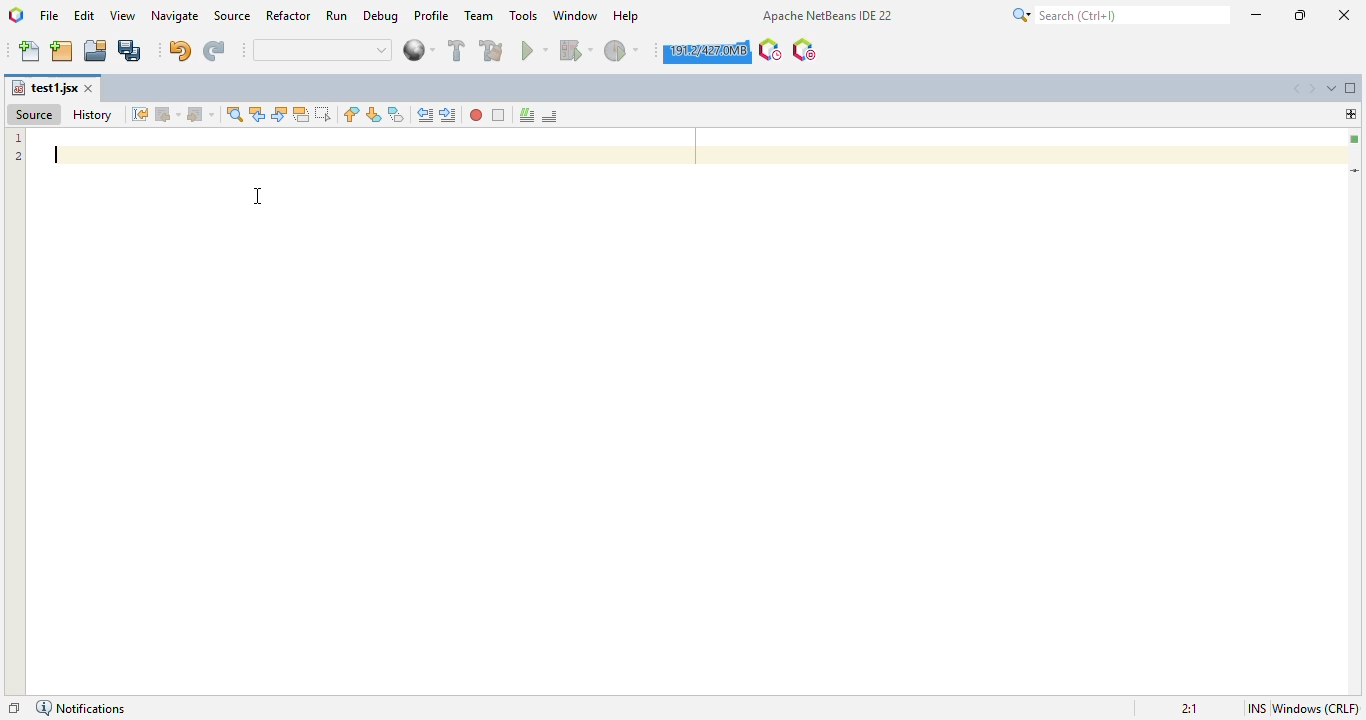  What do you see at coordinates (1311, 89) in the screenshot?
I see `scroll documents right` at bounding box center [1311, 89].